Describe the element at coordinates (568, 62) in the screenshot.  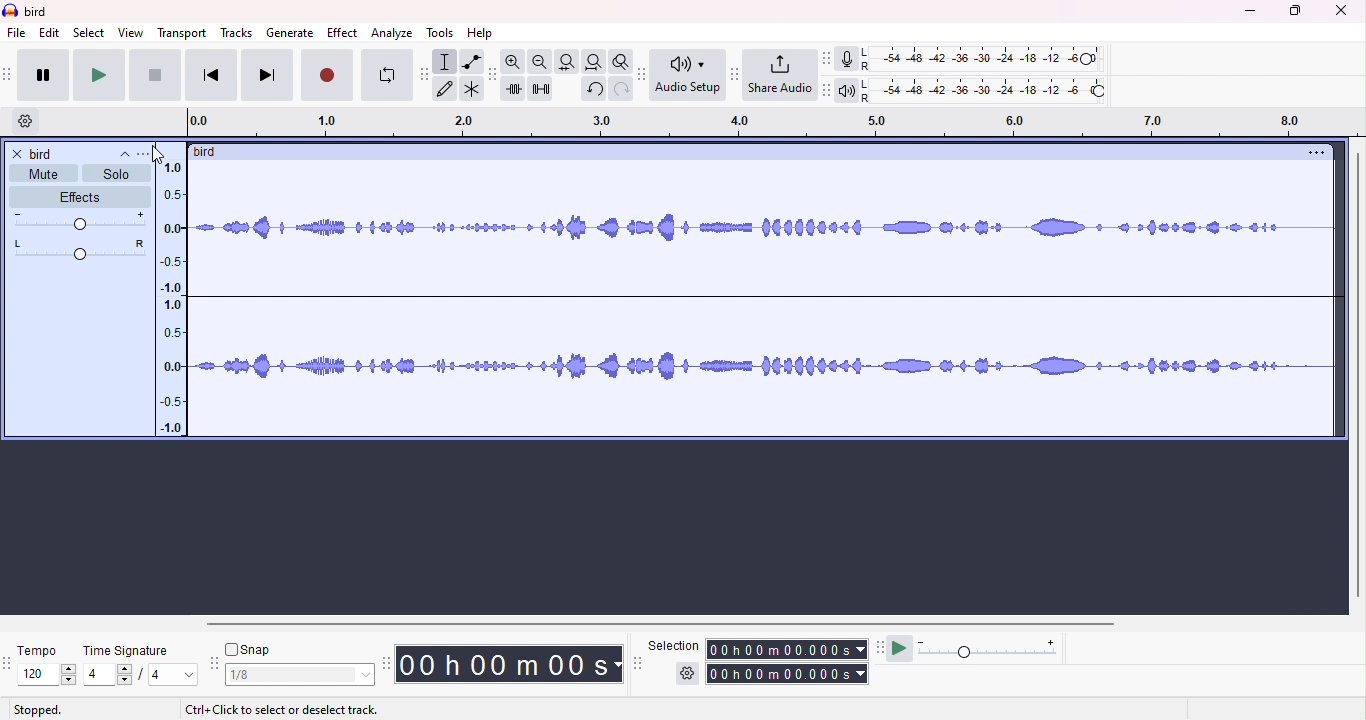
I see `fit selection to width` at that location.